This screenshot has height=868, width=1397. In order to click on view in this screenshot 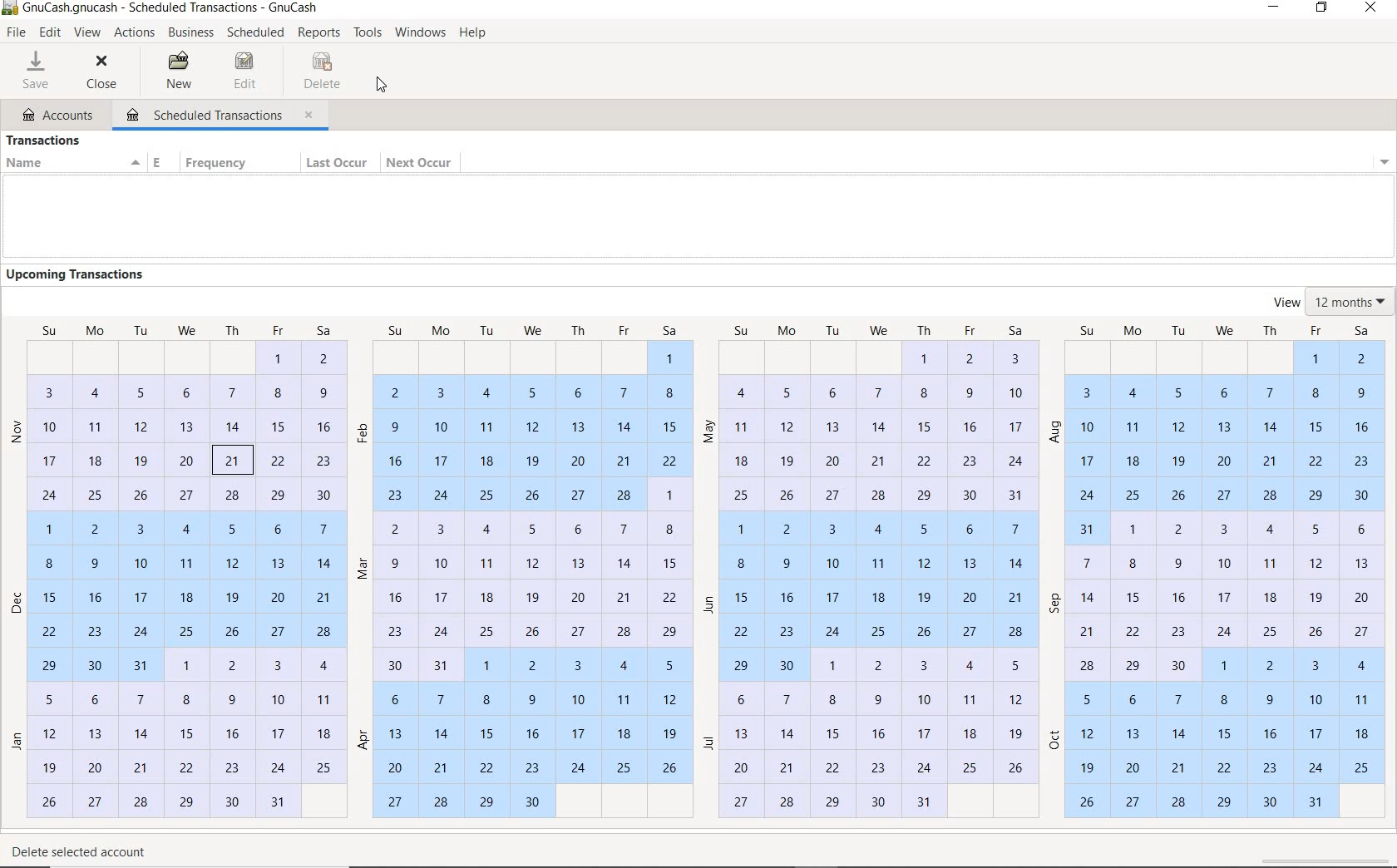, I will do `click(1288, 303)`.